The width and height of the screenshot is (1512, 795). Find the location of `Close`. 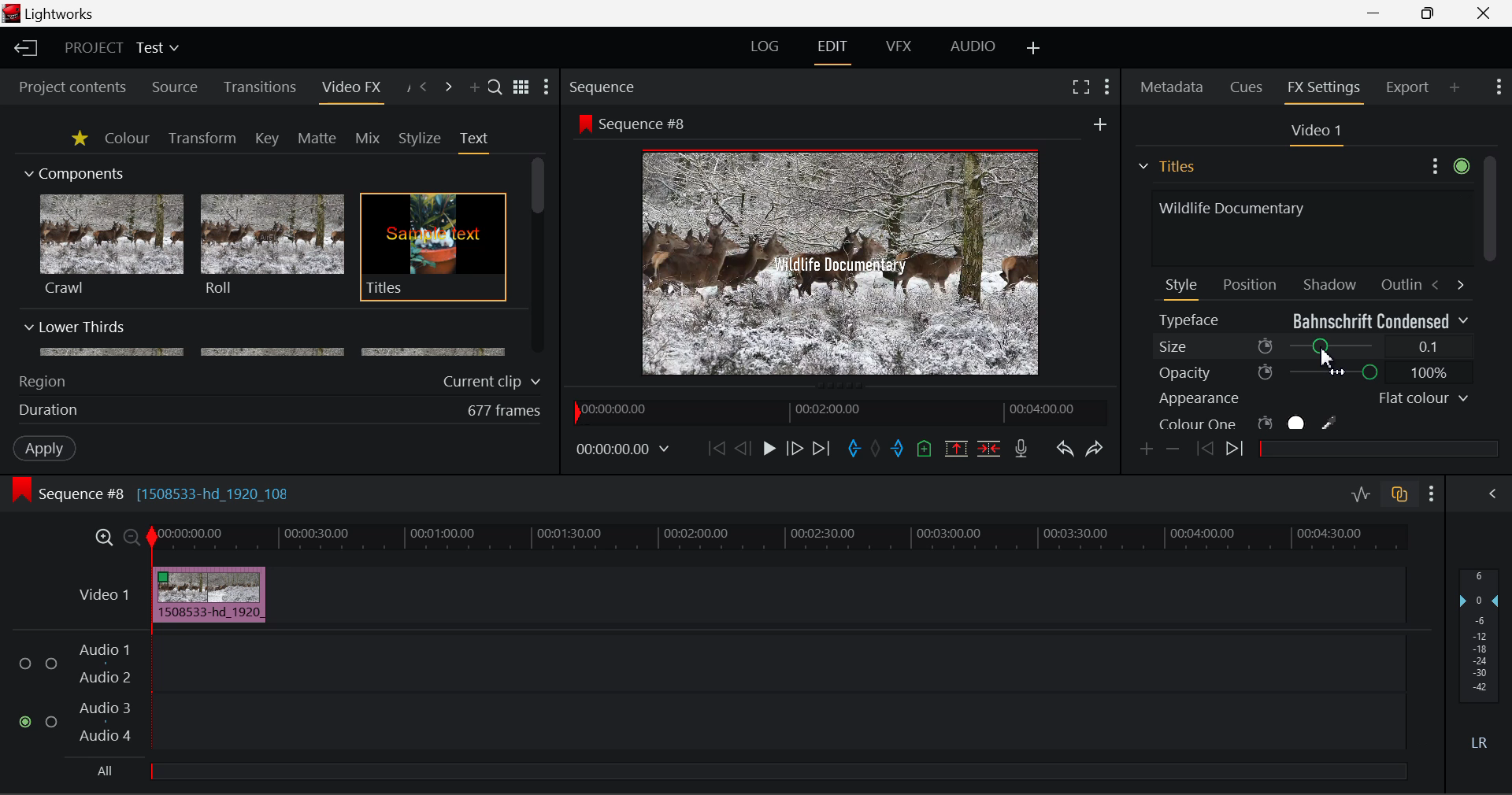

Close is located at coordinates (1484, 12).